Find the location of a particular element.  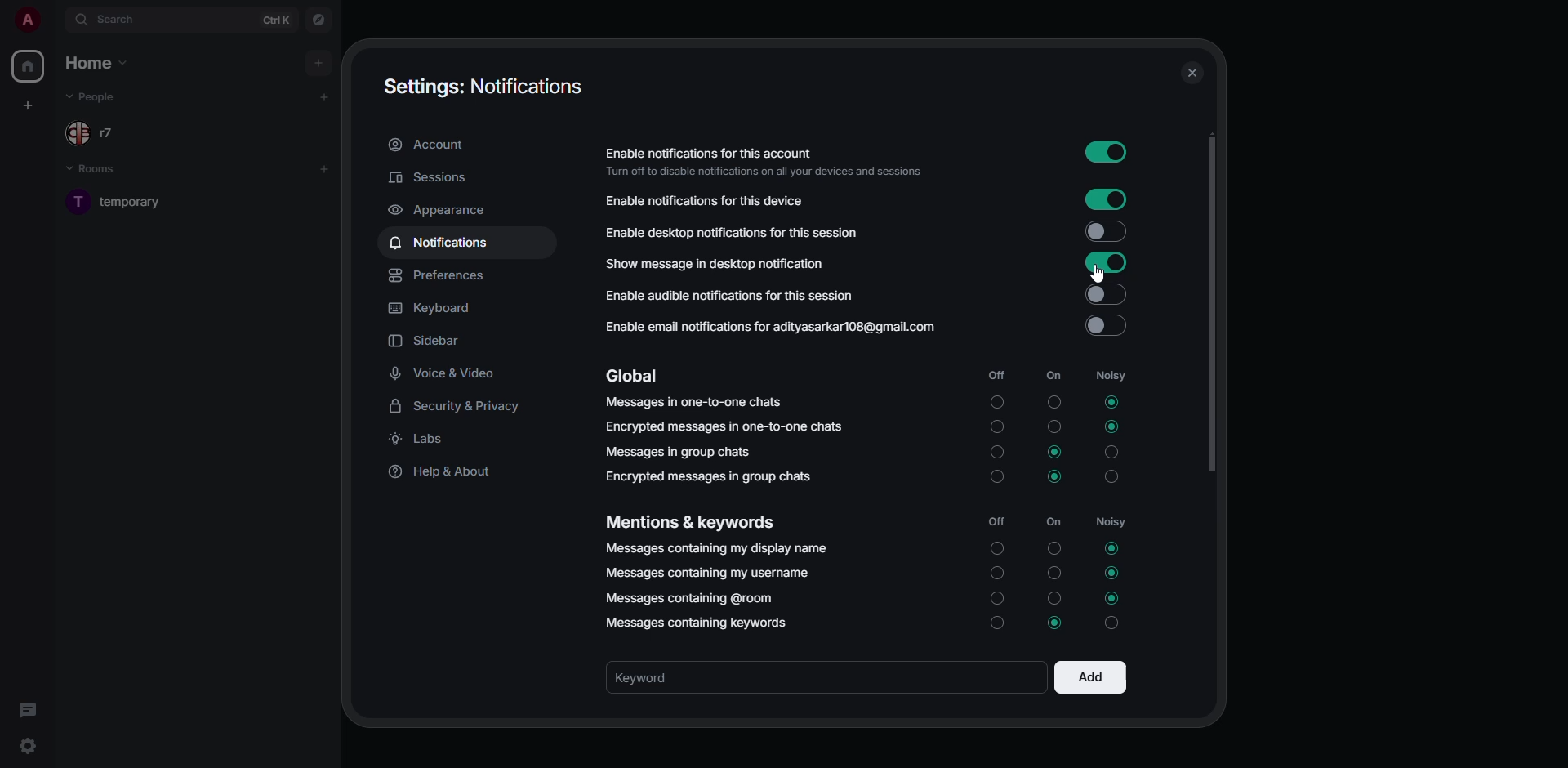

appearance is located at coordinates (439, 211).